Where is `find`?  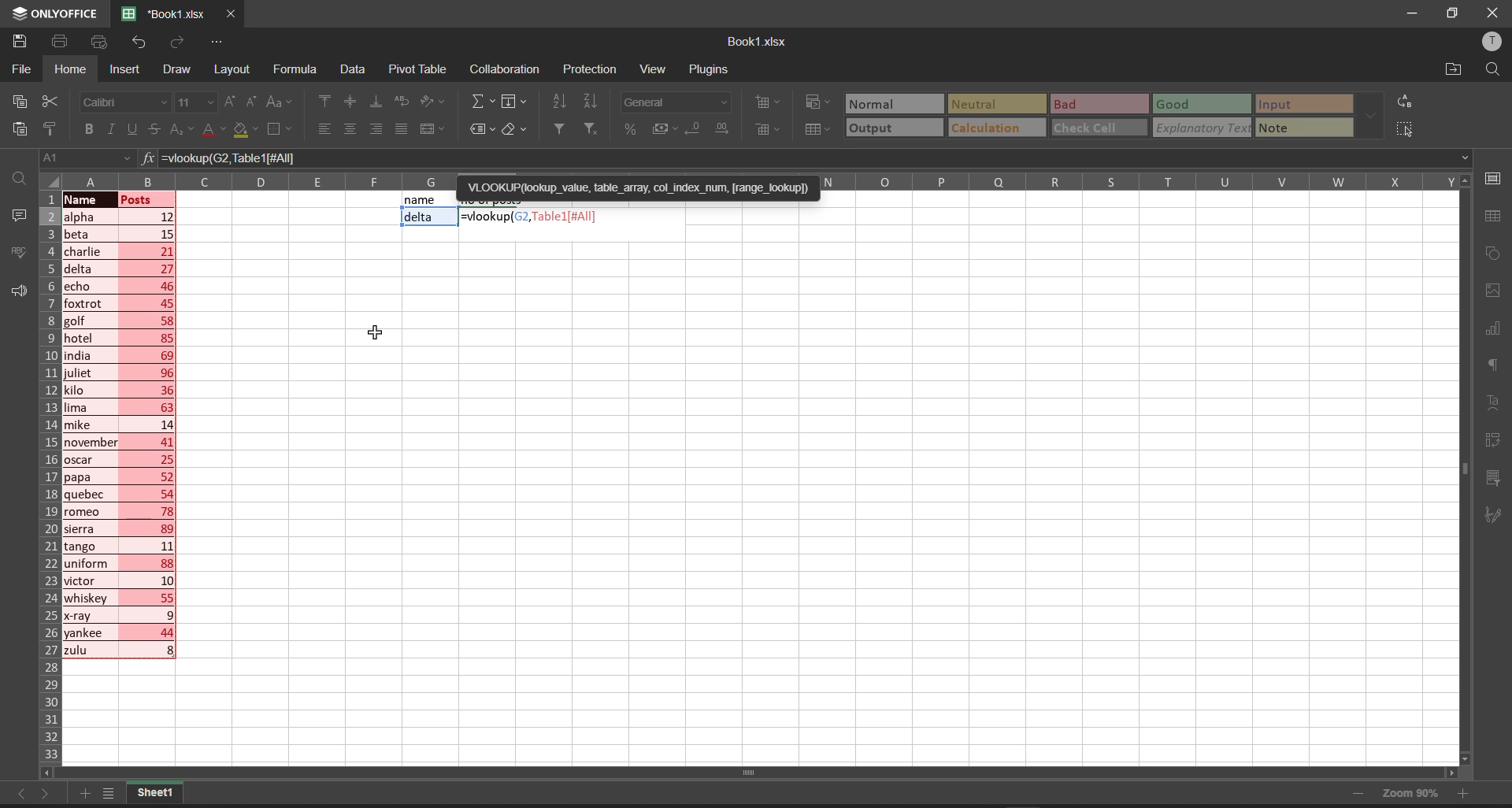 find is located at coordinates (1495, 69).